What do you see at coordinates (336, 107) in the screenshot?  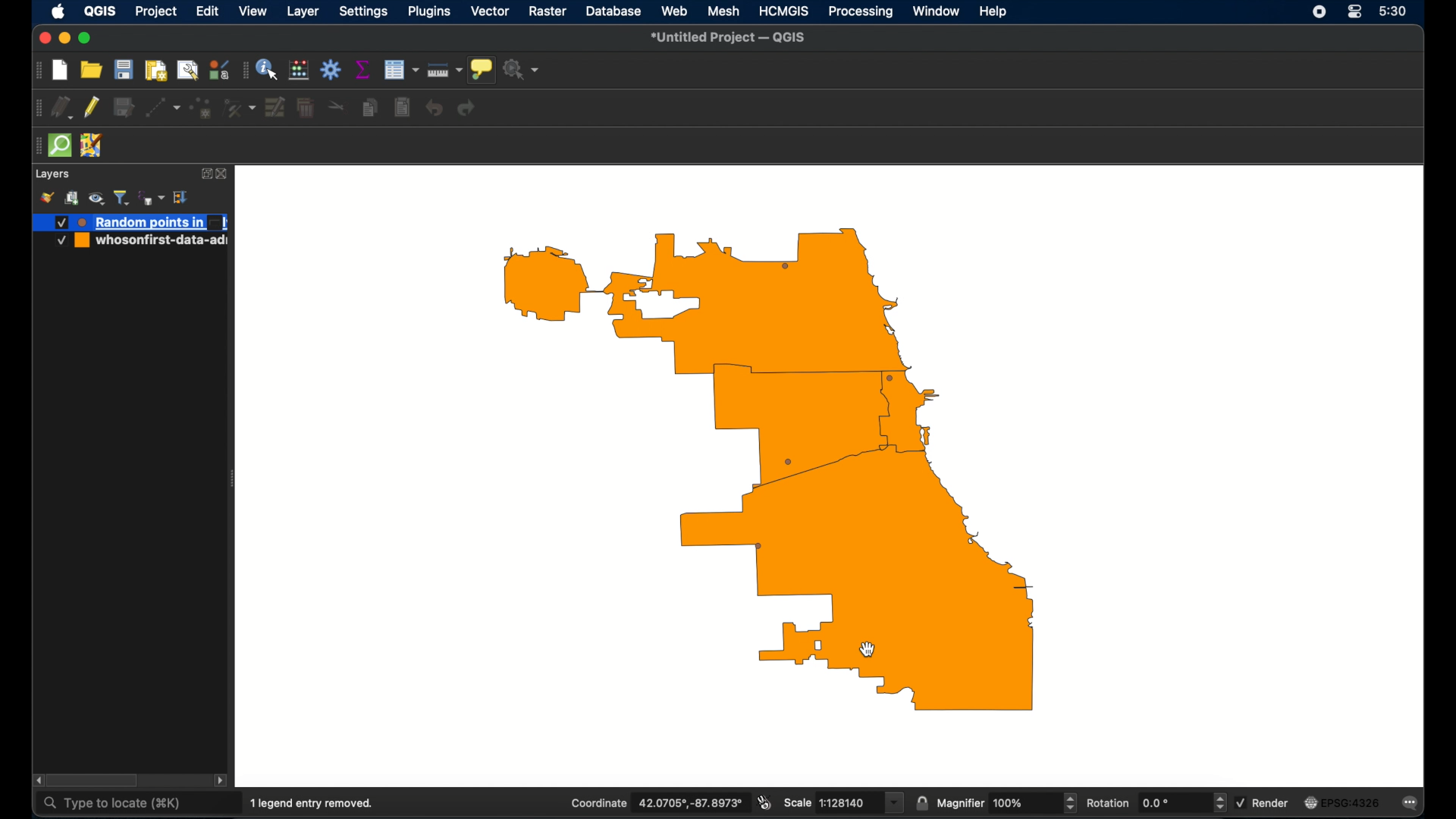 I see `cut features` at bounding box center [336, 107].